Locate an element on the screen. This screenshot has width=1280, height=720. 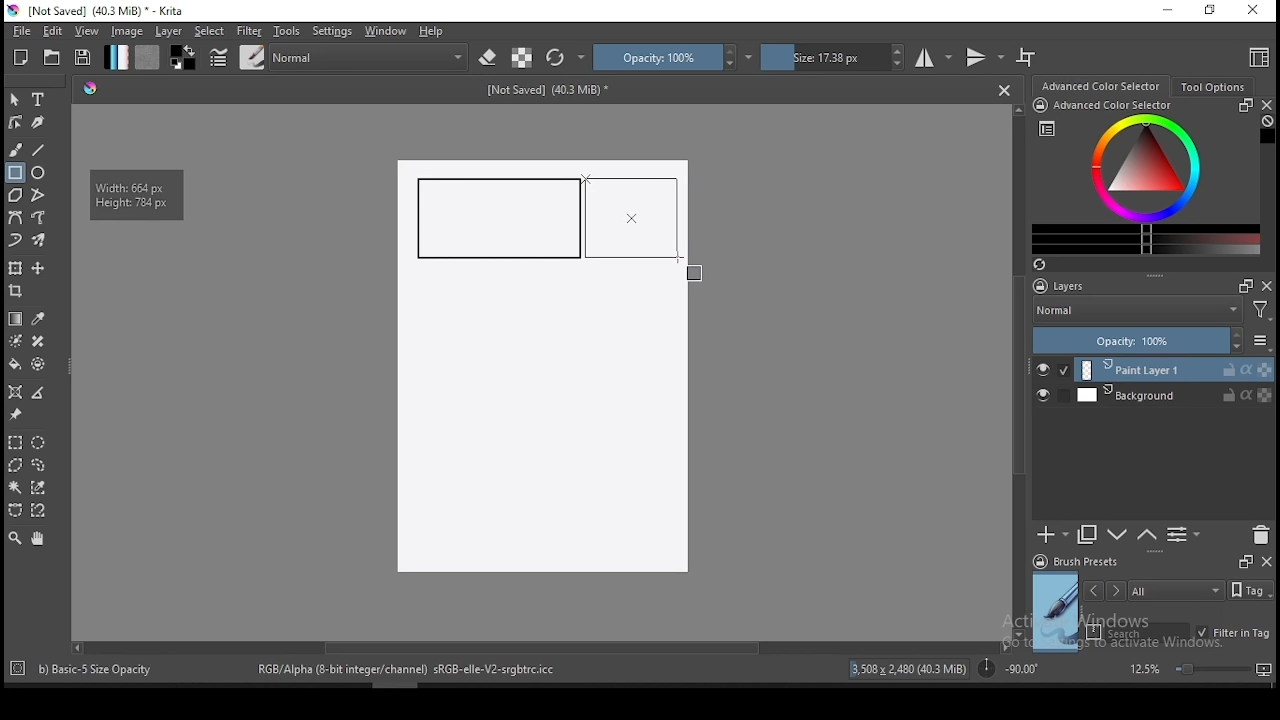
transform a layer or a selection is located at coordinates (15, 267).